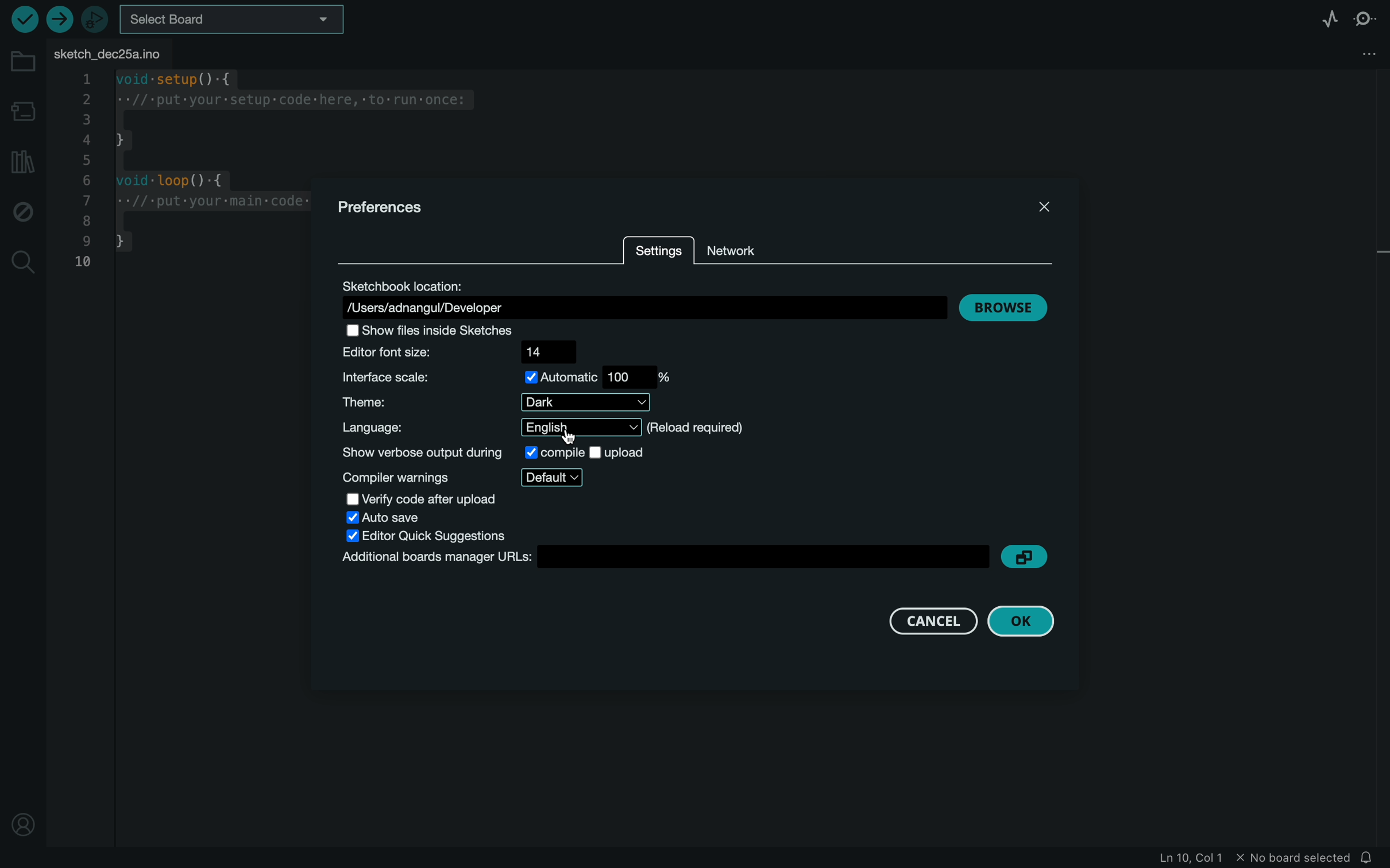  What do you see at coordinates (24, 264) in the screenshot?
I see `search` at bounding box center [24, 264].